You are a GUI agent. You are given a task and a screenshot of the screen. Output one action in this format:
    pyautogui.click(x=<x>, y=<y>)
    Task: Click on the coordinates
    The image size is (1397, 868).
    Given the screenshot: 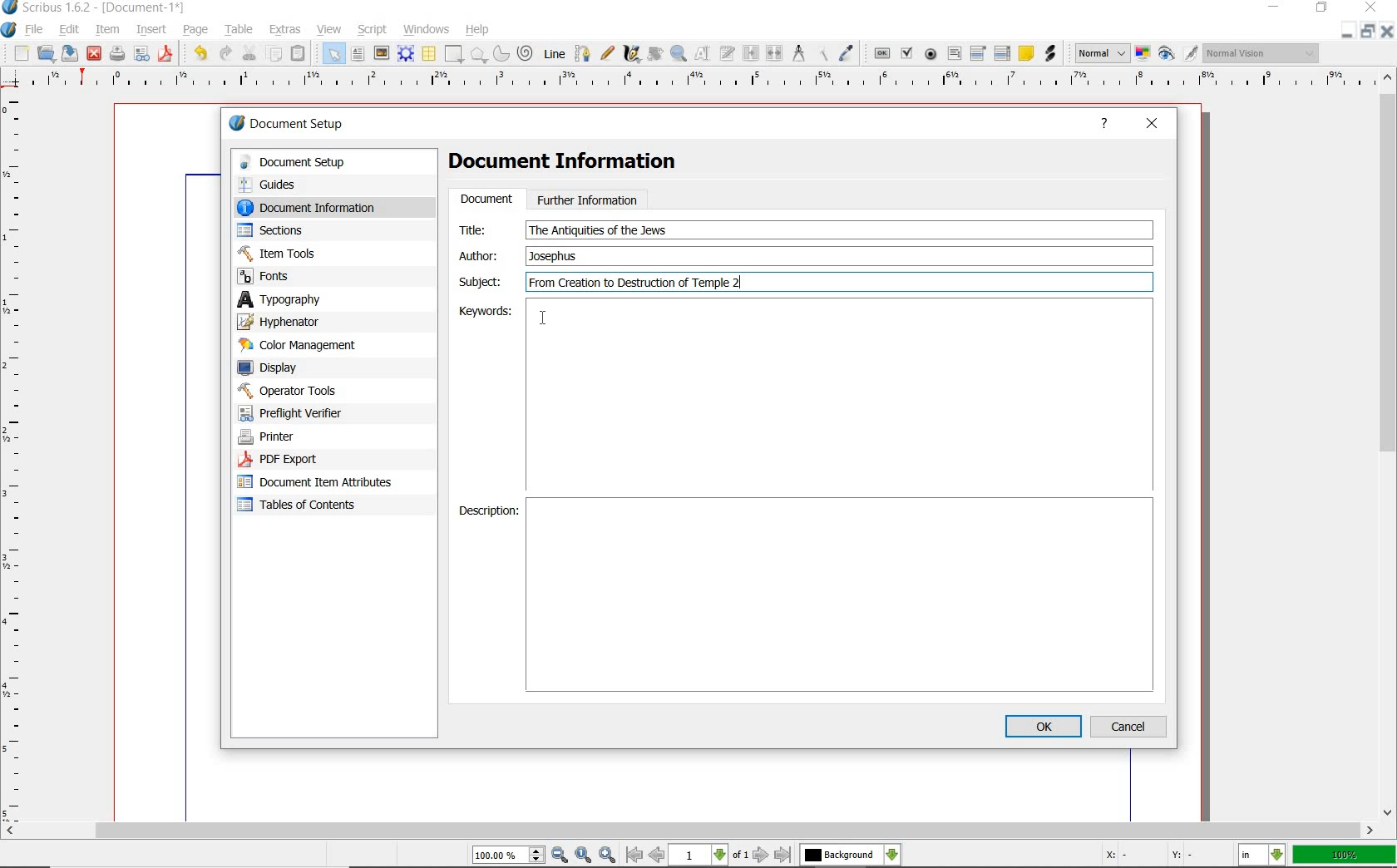 What is the action you would take?
    pyautogui.click(x=1147, y=856)
    